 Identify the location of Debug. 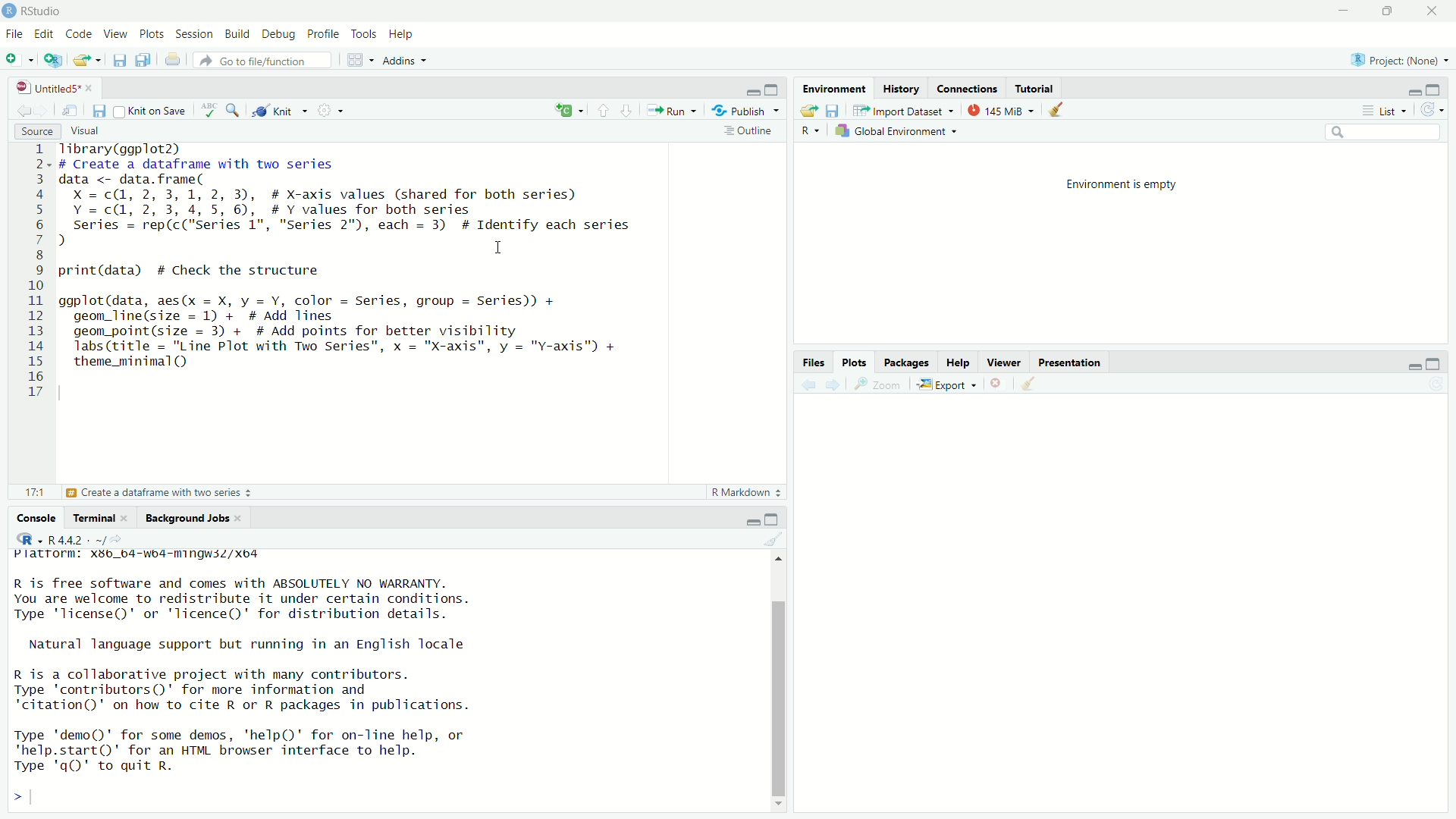
(279, 36).